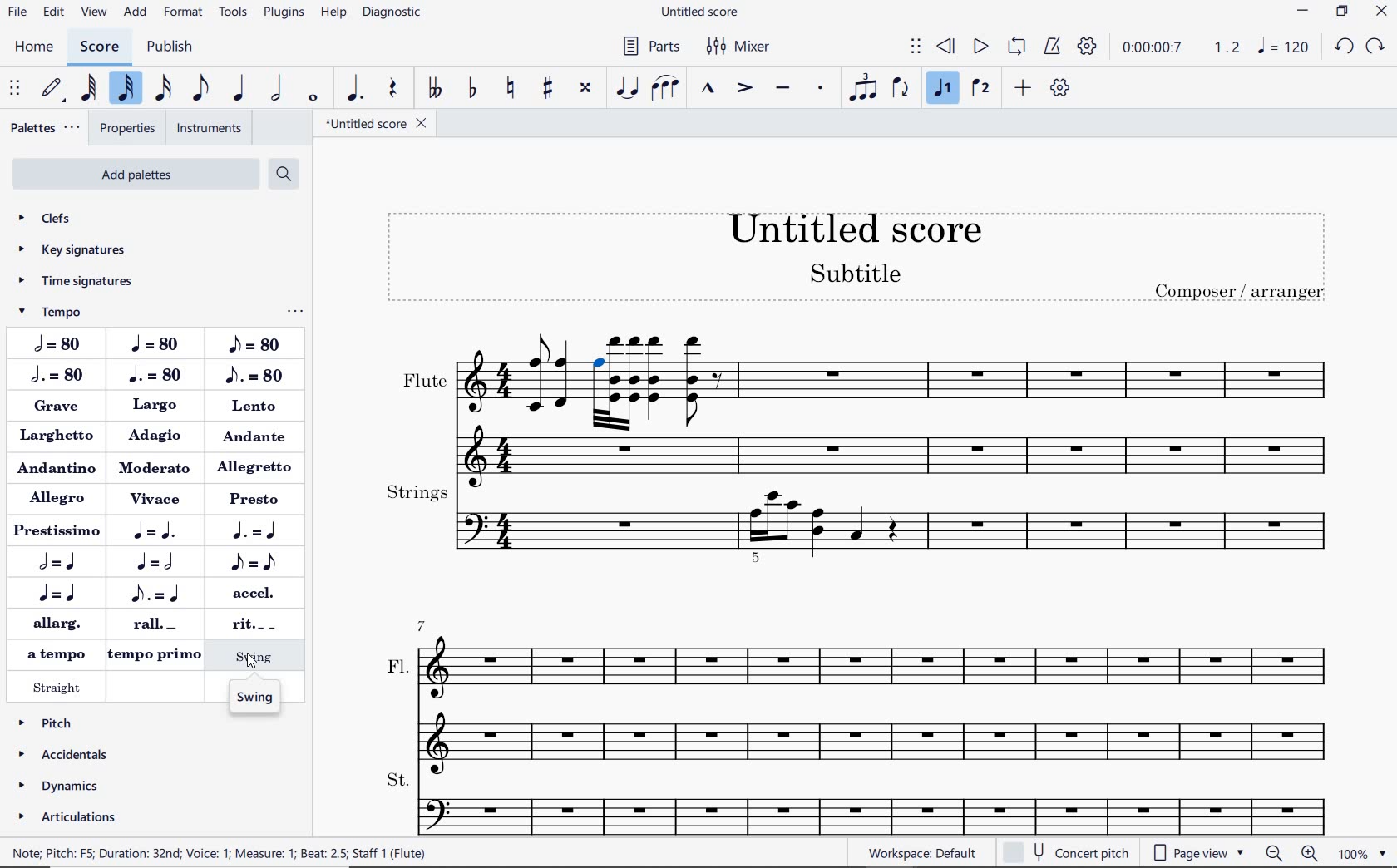 This screenshot has width=1397, height=868. I want to click on add, so click(136, 13).